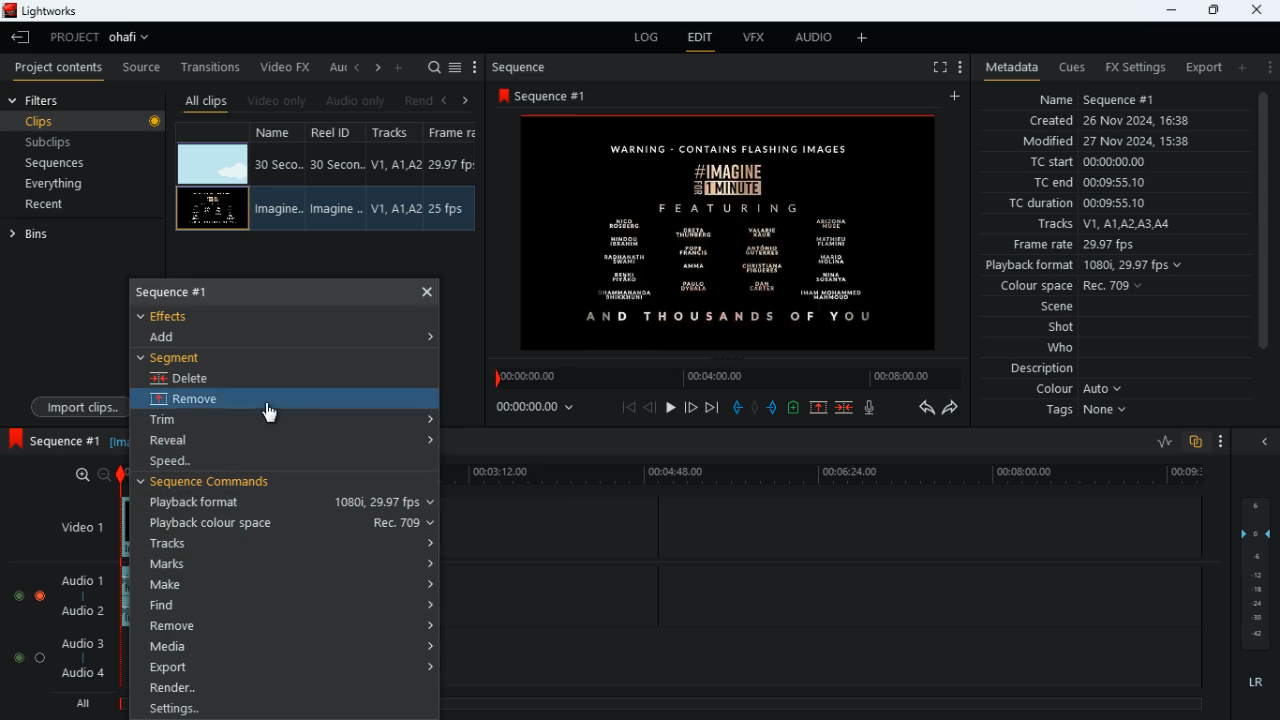 Image resolution: width=1280 pixels, height=720 pixels. What do you see at coordinates (1205, 67) in the screenshot?
I see `export` at bounding box center [1205, 67].